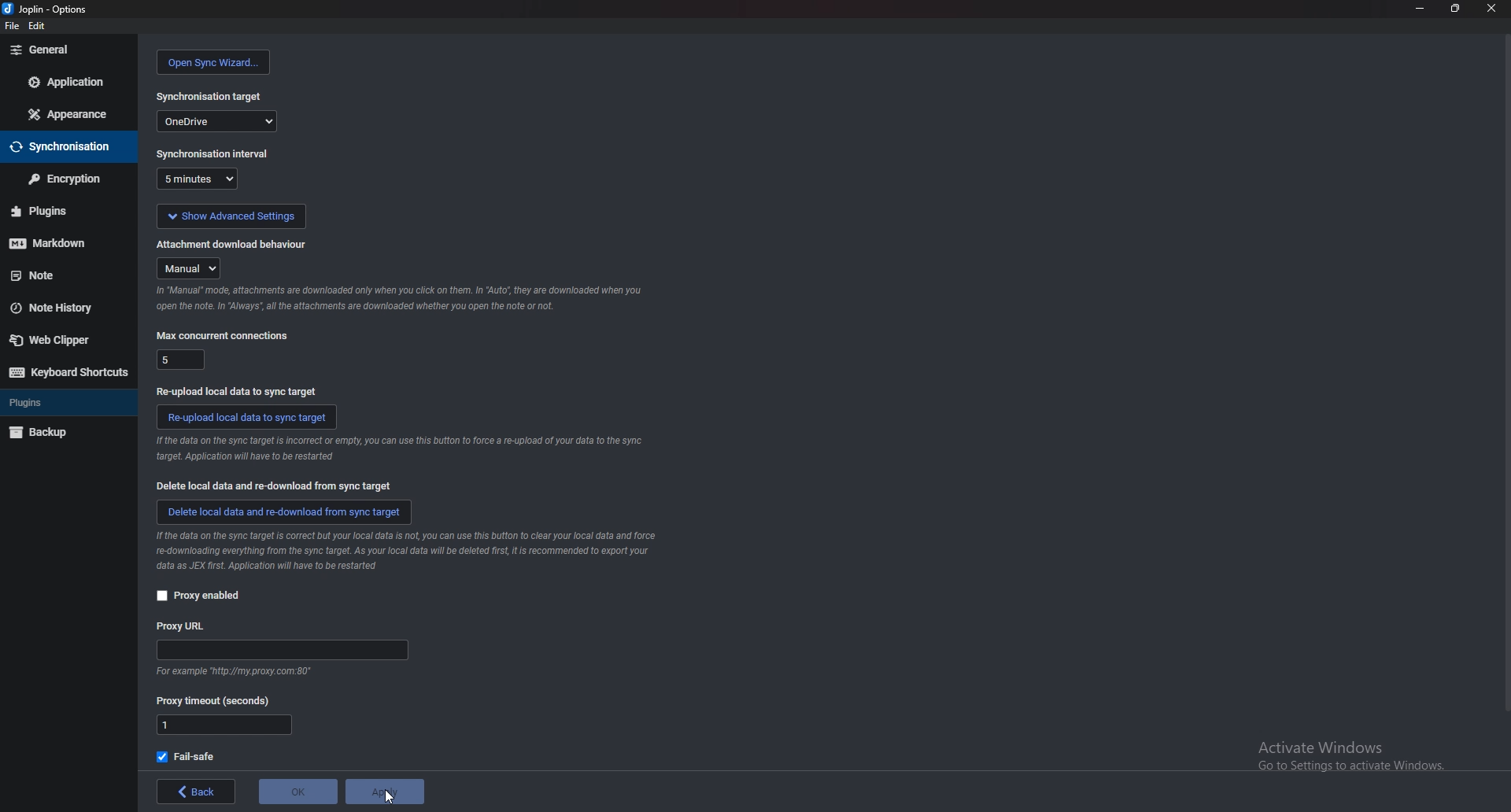  What do you see at coordinates (210, 97) in the screenshot?
I see `sync target` at bounding box center [210, 97].